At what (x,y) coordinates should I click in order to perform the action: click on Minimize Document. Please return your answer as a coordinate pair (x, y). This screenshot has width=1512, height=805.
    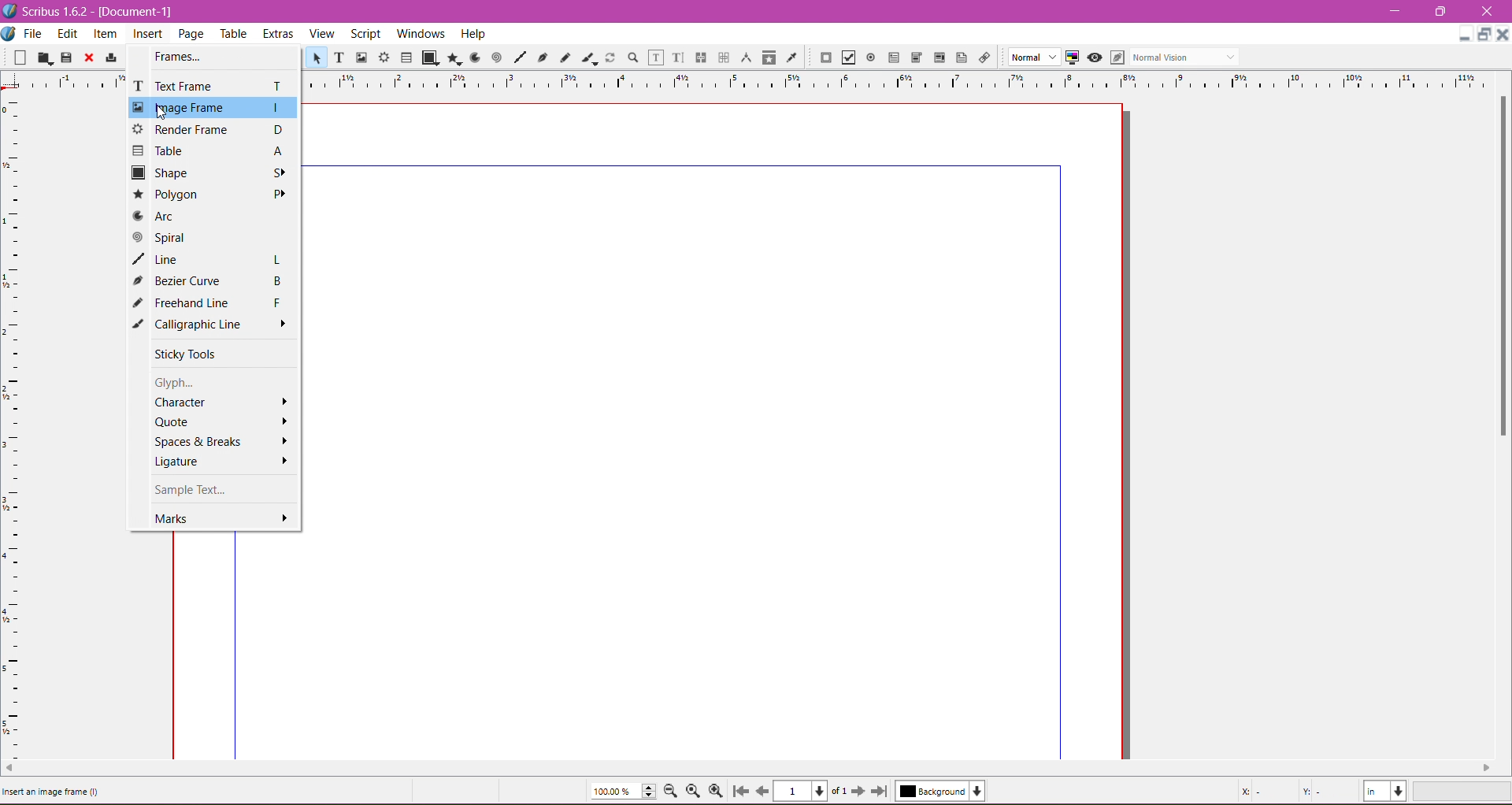
    Looking at the image, I should click on (1465, 34).